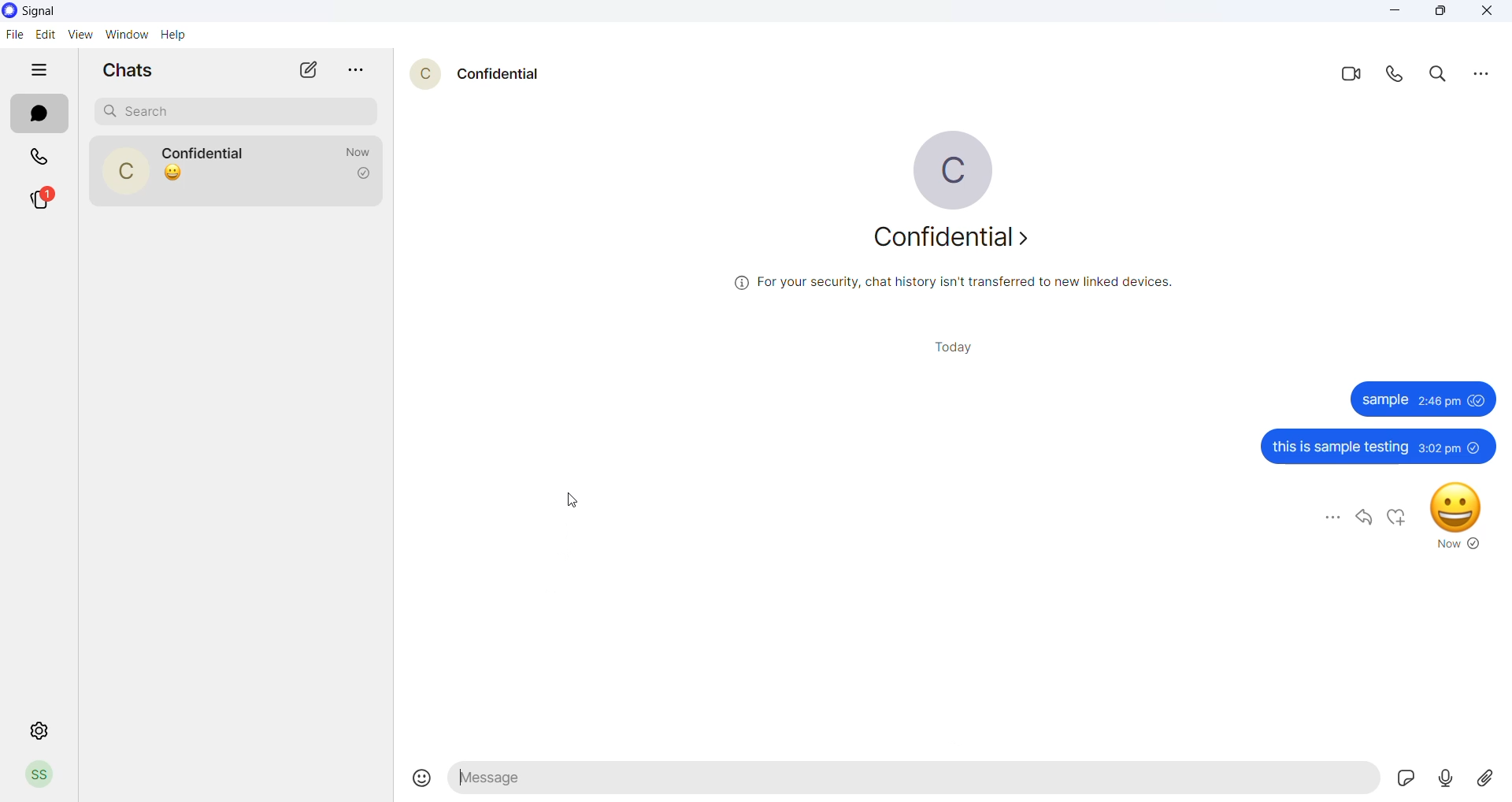  What do you see at coordinates (42, 775) in the screenshot?
I see `profile` at bounding box center [42, 775].